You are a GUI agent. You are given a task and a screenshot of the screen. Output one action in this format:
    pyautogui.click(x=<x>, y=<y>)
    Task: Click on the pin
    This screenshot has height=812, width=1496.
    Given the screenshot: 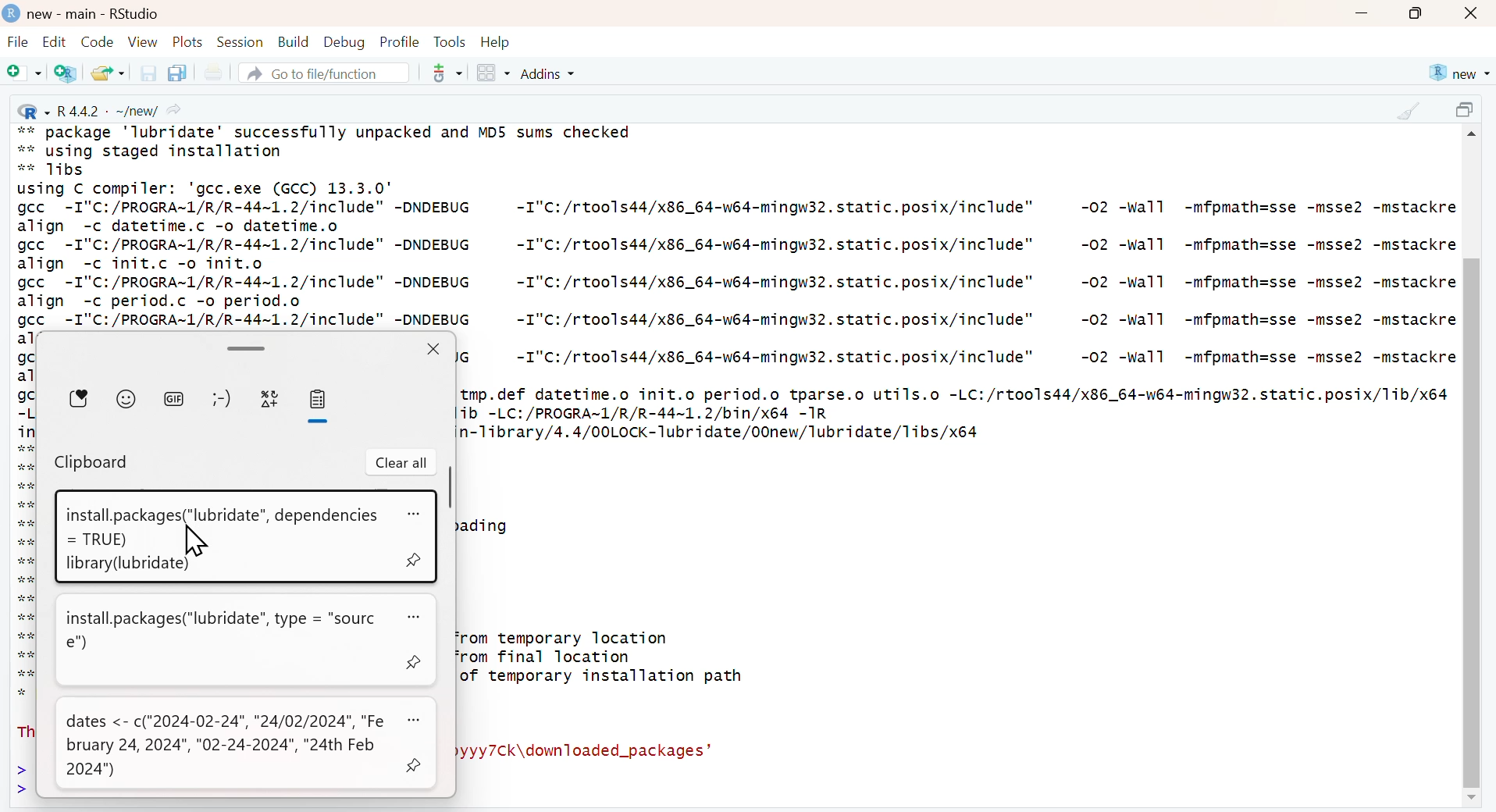 What is the action you would take?
    pyautogui.click(x=417, y=663)
    